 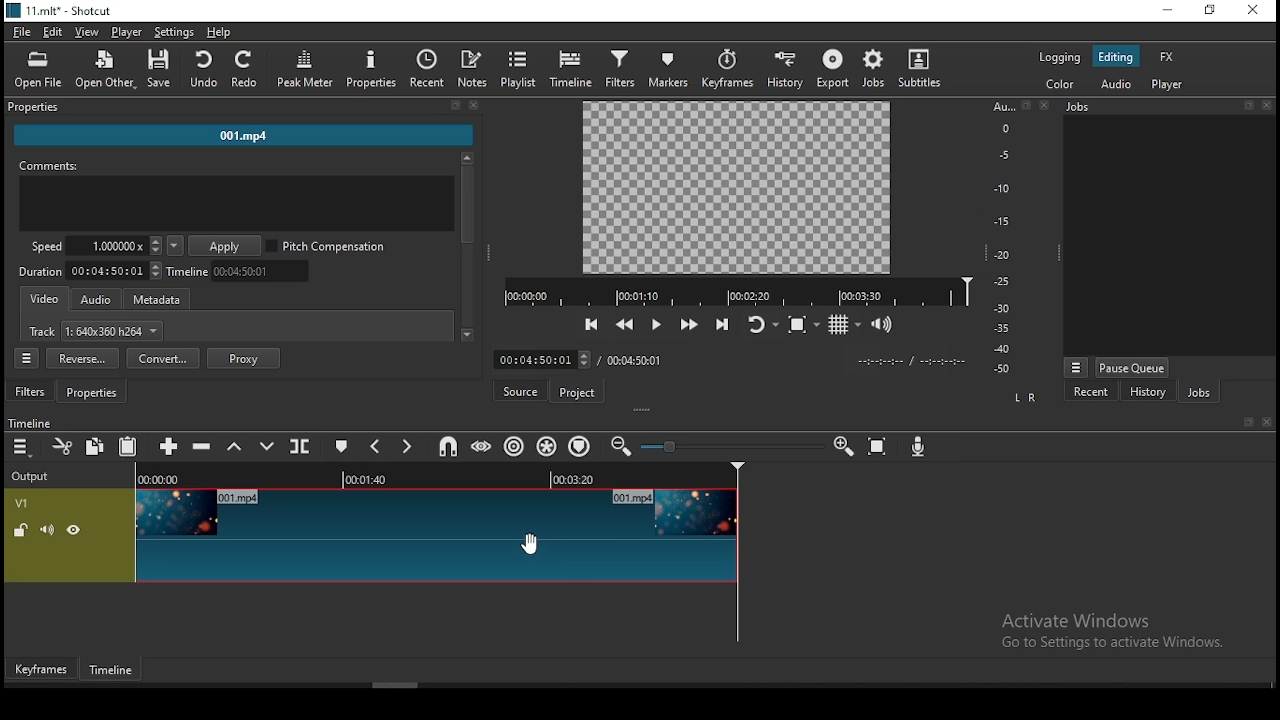 I want to click on v1, so click(x=23, y=502).